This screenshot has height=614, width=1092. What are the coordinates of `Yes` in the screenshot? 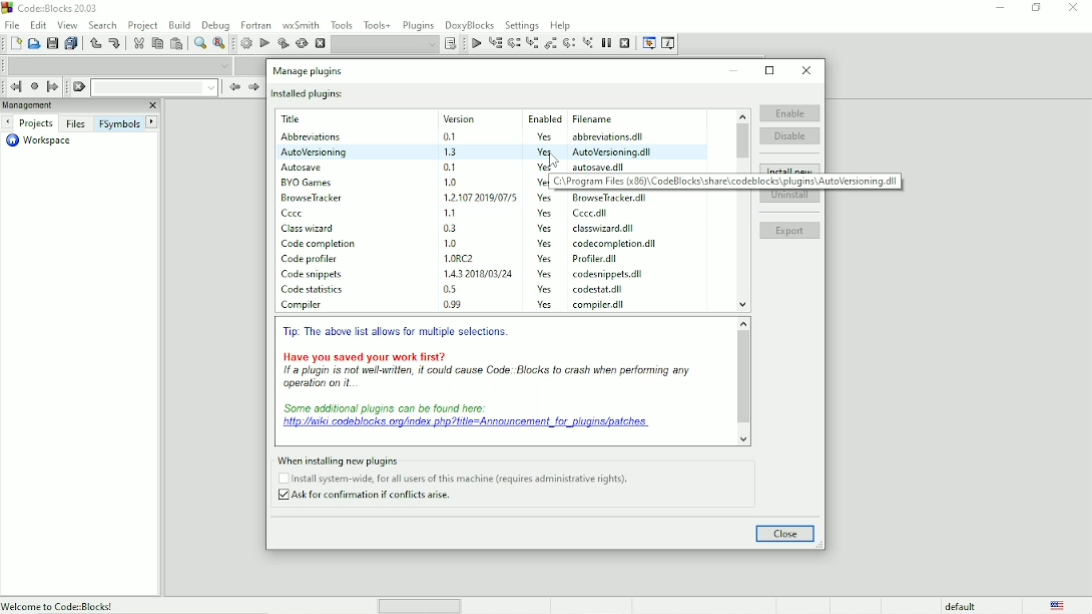 It's located at (547, 214).